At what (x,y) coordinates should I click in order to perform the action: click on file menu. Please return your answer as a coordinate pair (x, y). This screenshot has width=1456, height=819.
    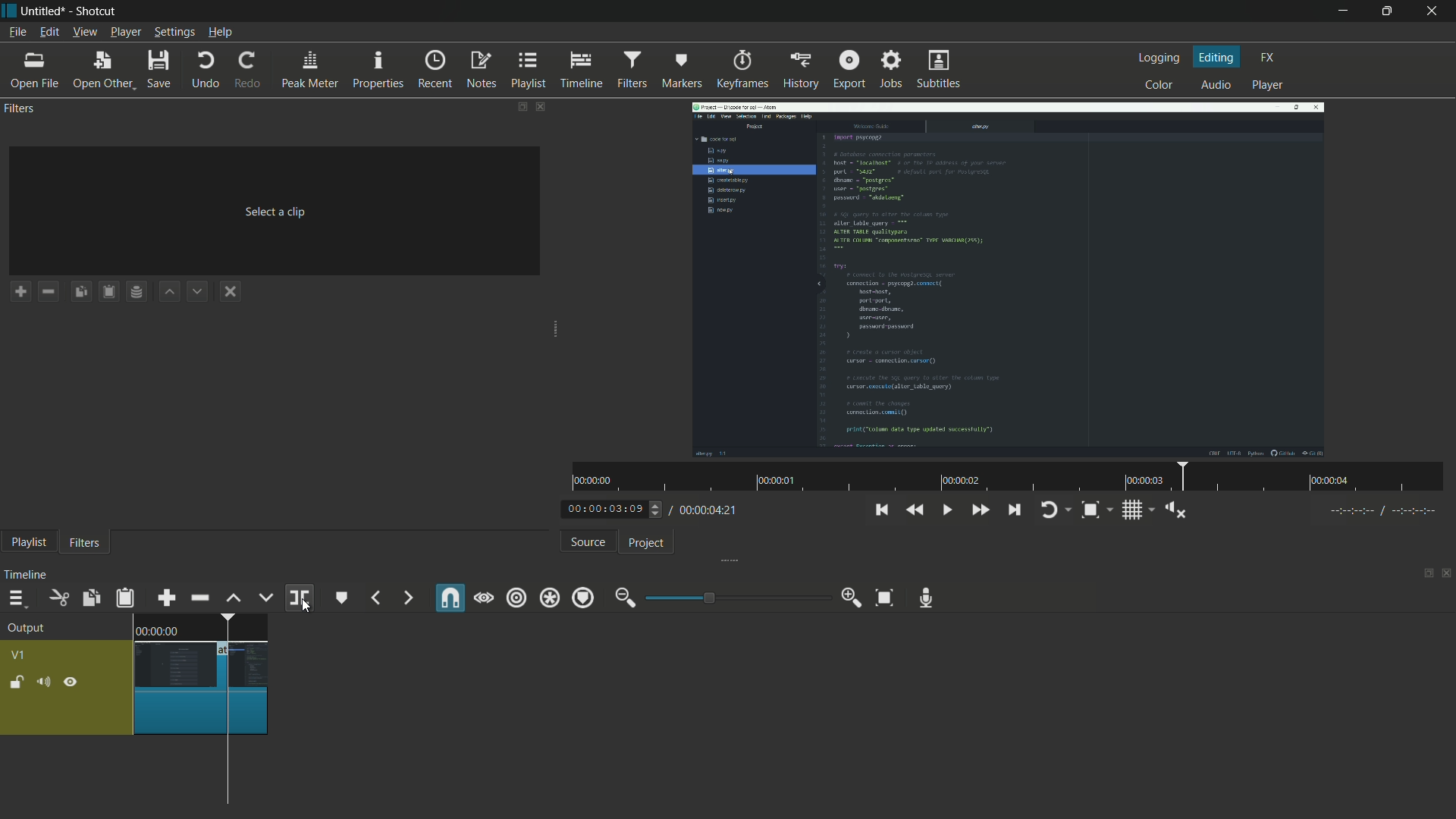
    Looking at the image, I should click on (18, 33).